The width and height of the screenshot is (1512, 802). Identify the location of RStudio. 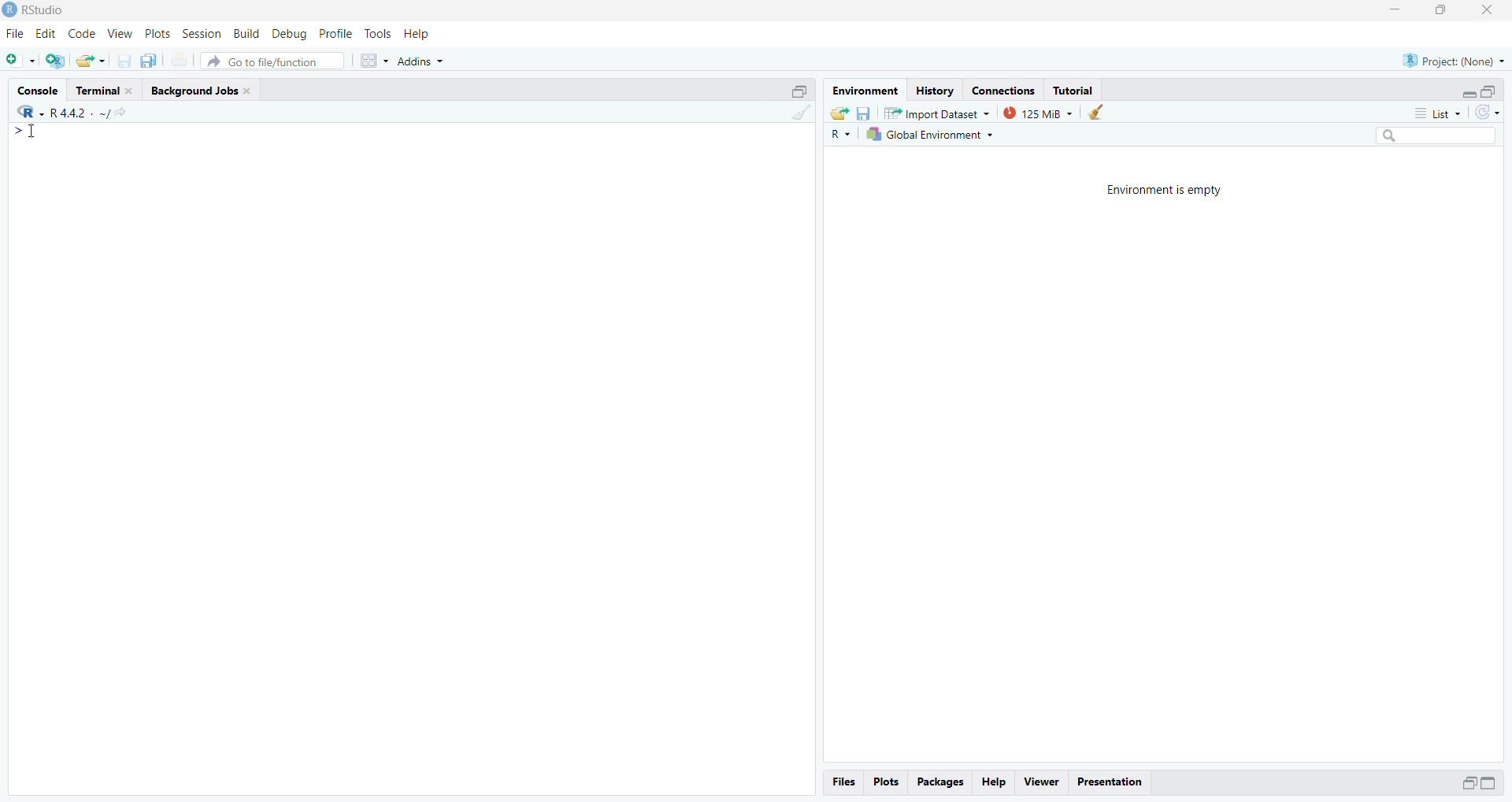
(43, 9).